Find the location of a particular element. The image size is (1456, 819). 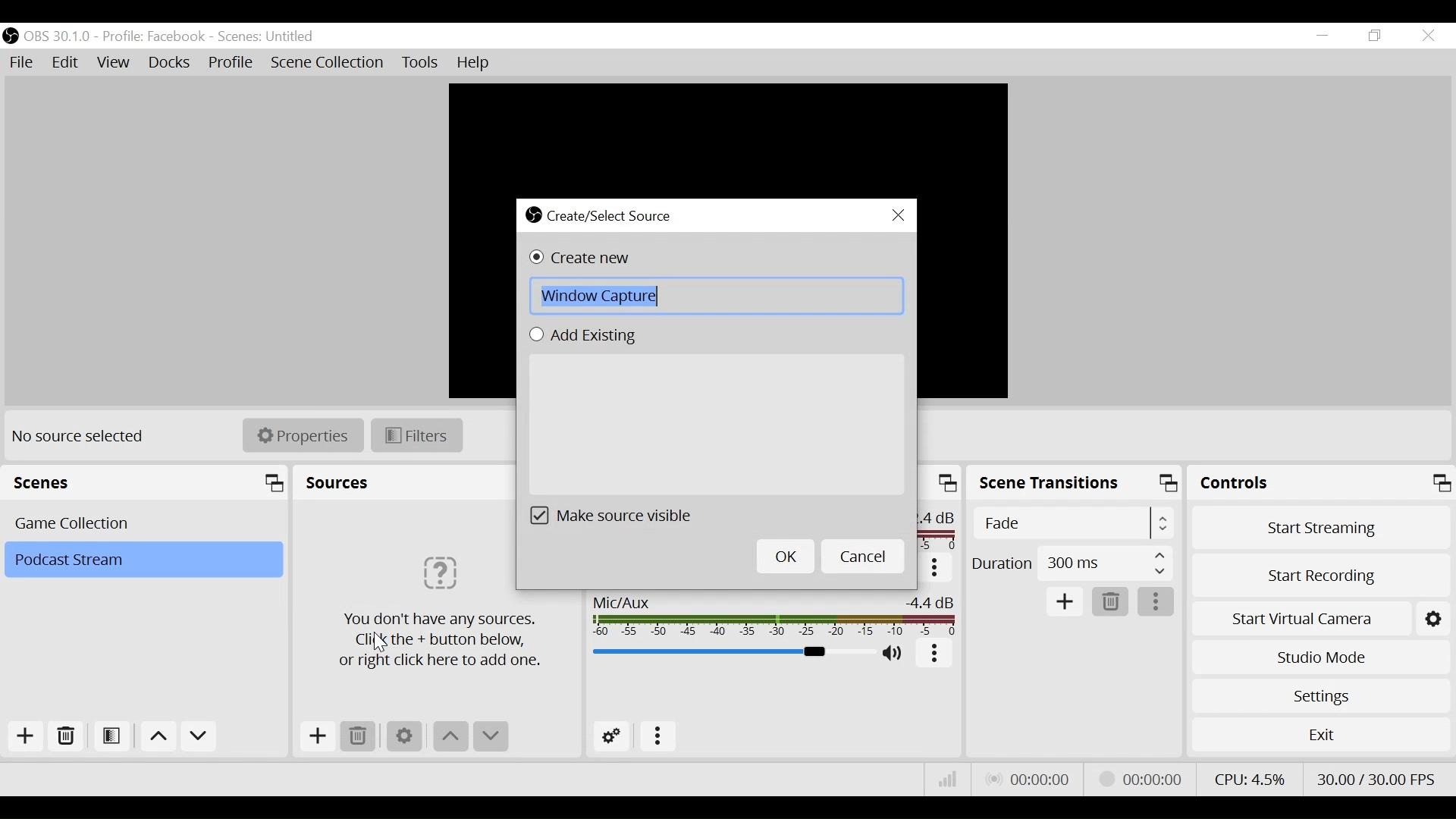

Settings is located at coordinates (403, 738).